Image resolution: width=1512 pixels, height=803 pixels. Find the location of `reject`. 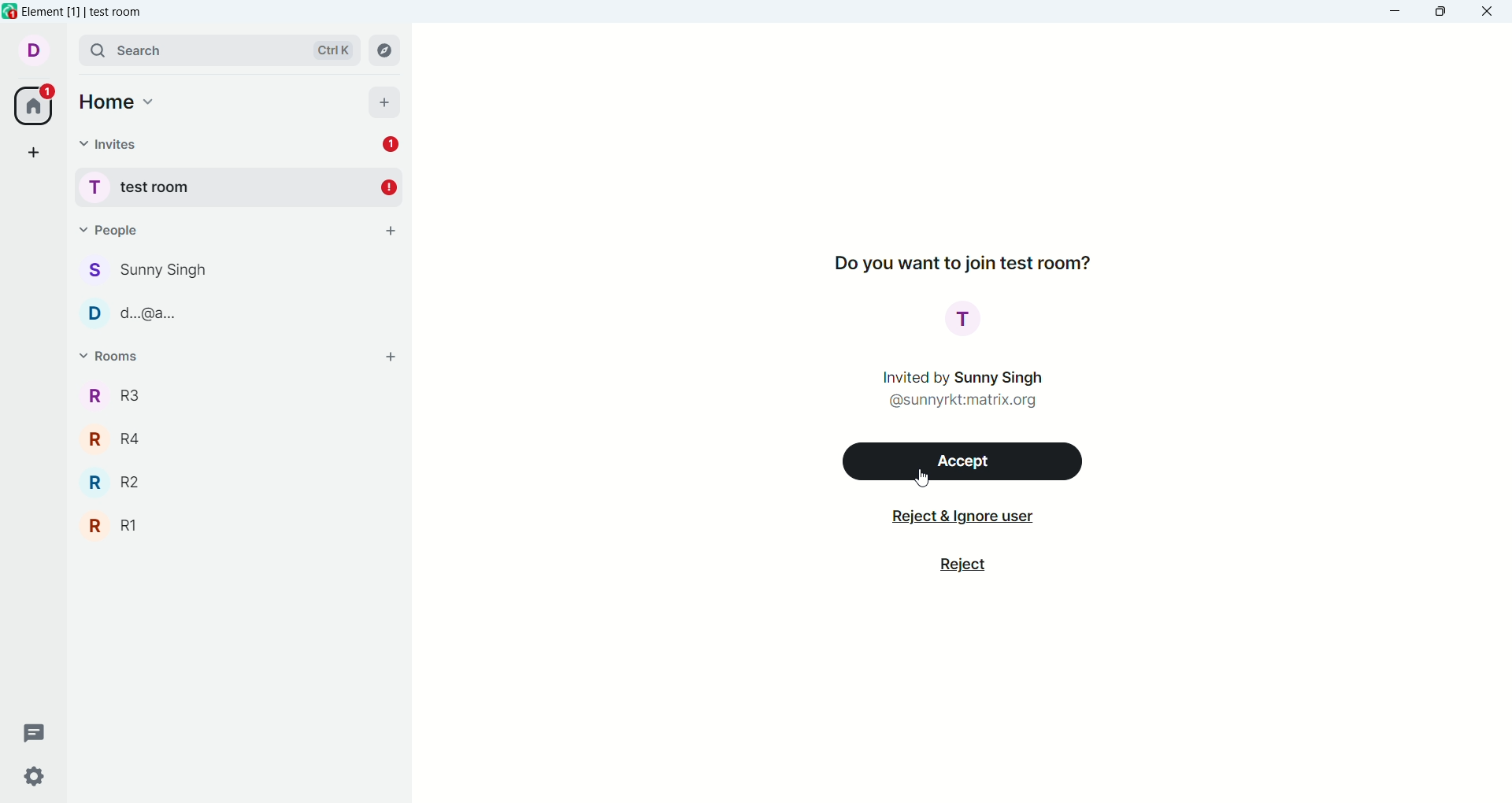

reject is located at coordinates (965, 567).